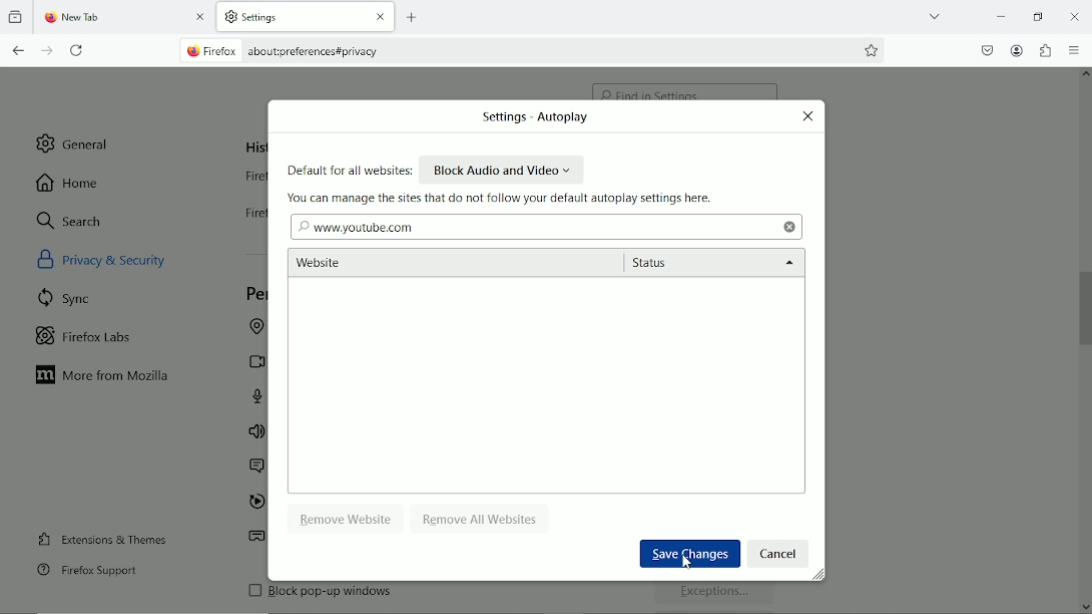 The width and height of the screenshot is (1092, 614). What do you see at coordinates (356, 226) in the screenshot?
I see `www.youtube.com` at bounding box center [356, 226].